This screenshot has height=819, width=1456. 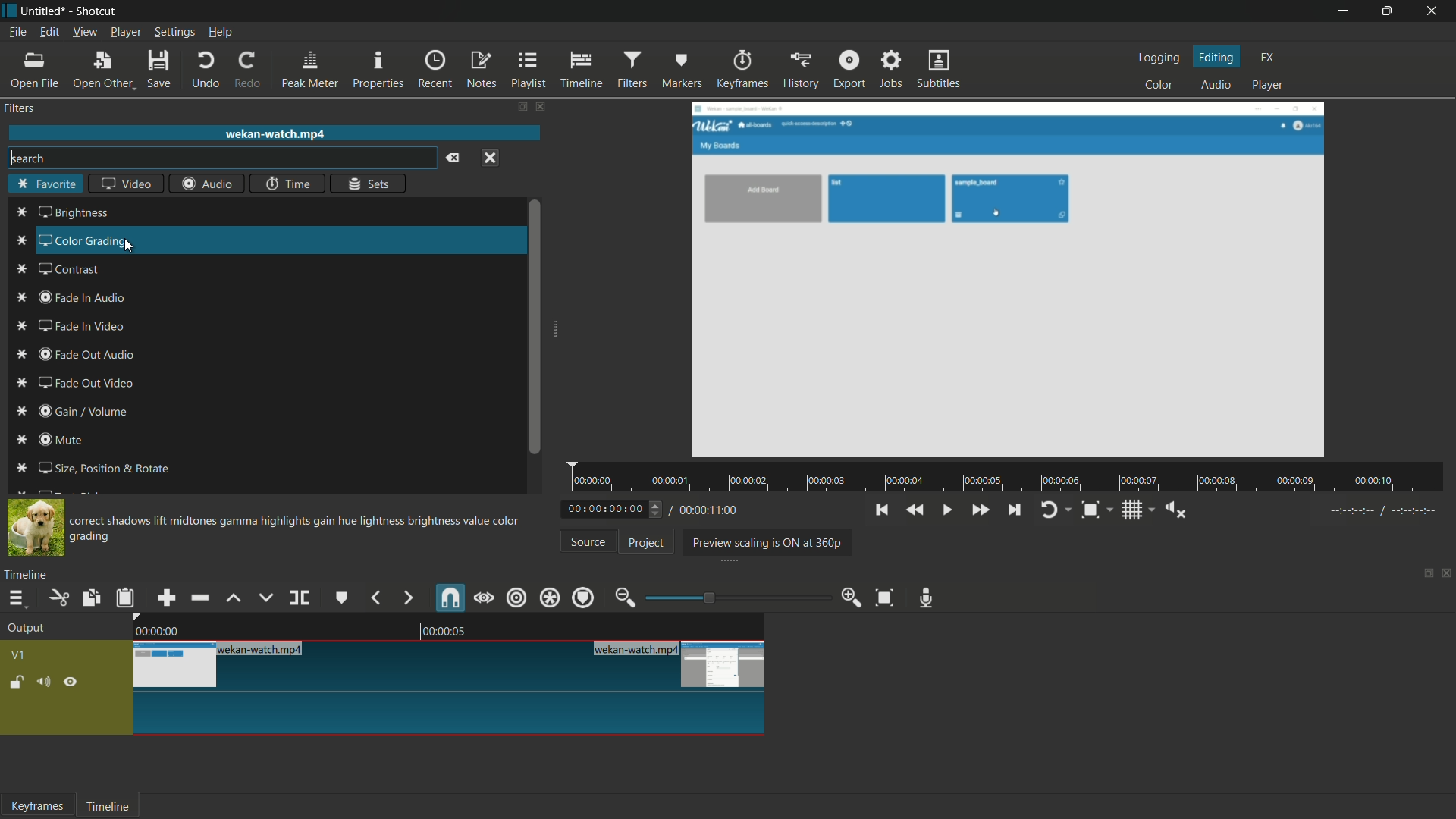 I want to click on snap, so click(x=449, y=598).